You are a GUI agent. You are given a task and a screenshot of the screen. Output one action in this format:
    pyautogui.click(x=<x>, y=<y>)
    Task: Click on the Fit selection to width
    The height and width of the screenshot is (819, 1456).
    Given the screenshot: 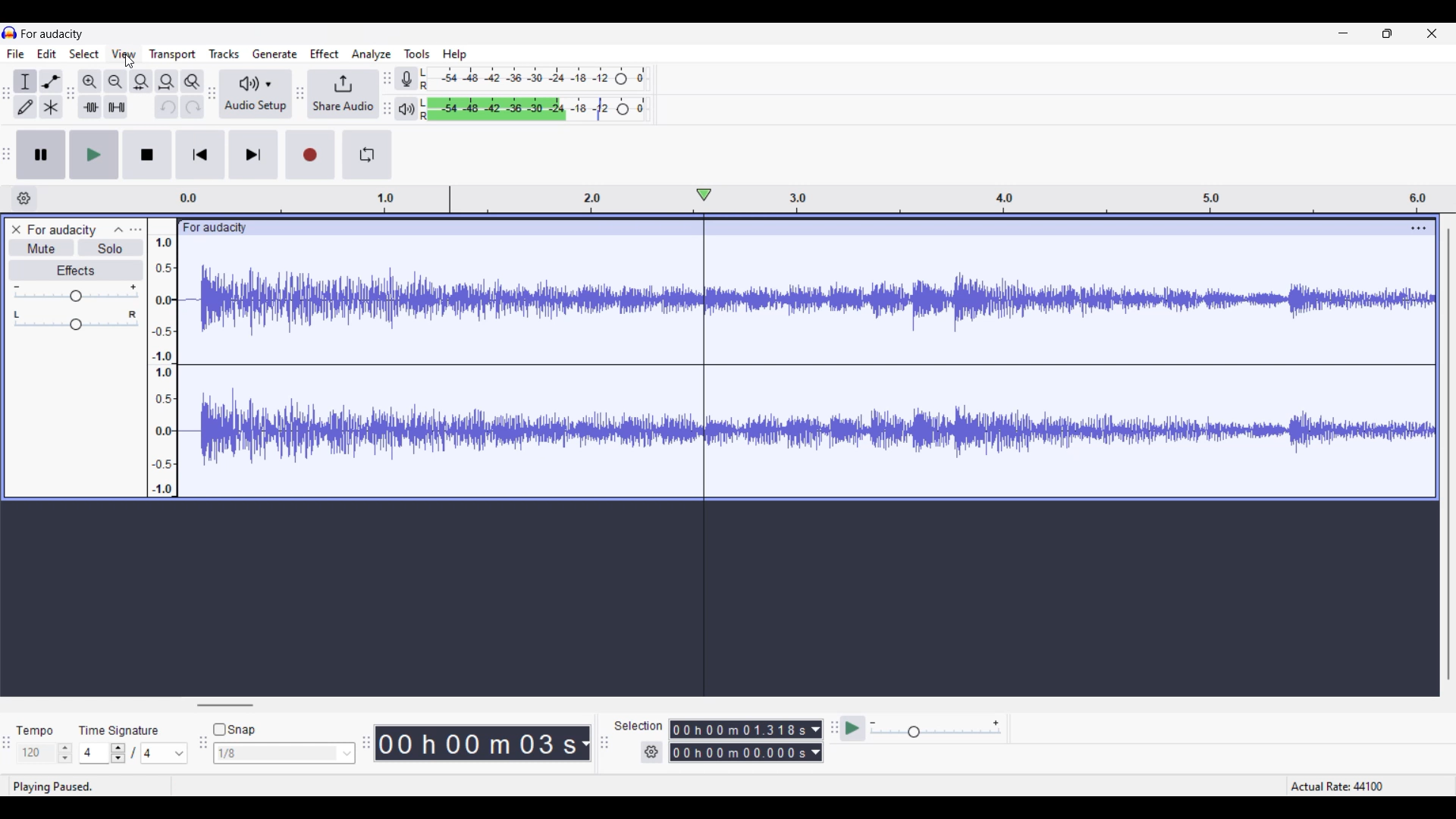 What is the action you would take?
    pyautogui.click(x=141, y=82)
    